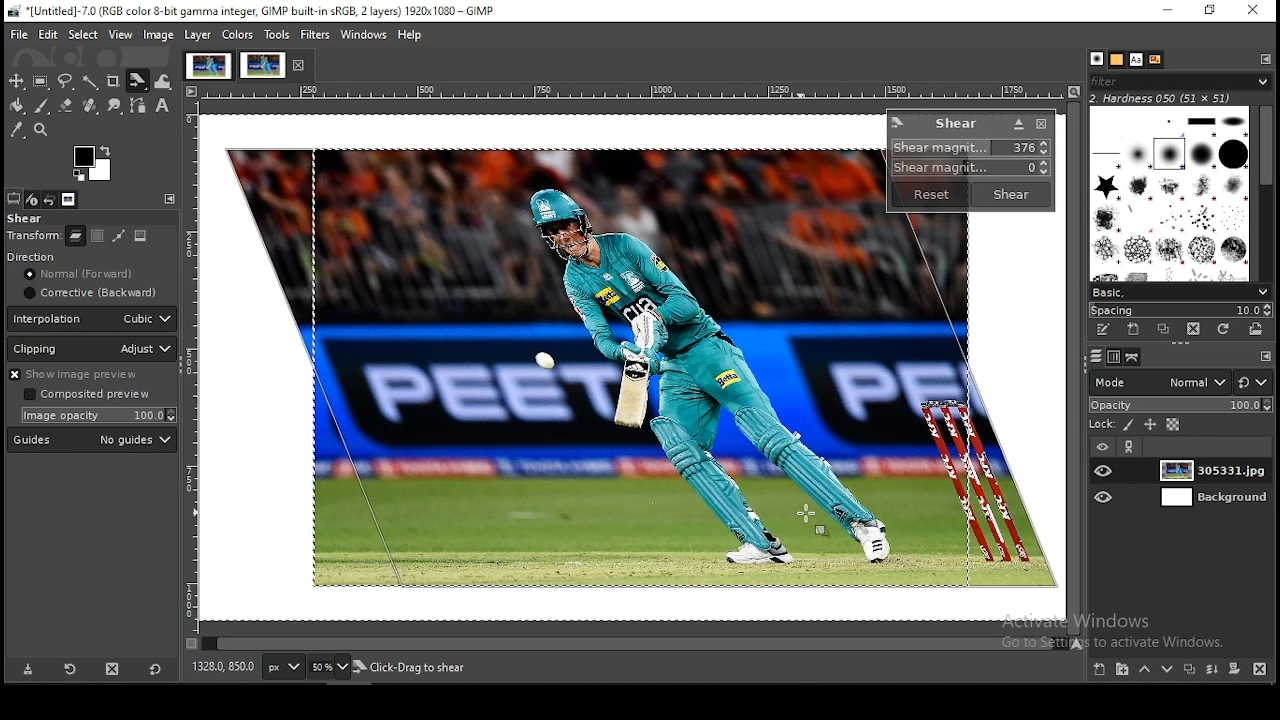 The width and height of the screenshot is (1280, 720). Describe the element at coordinates (1105, 470) in the screenshot. I see `layer visibility on/off` at that location.